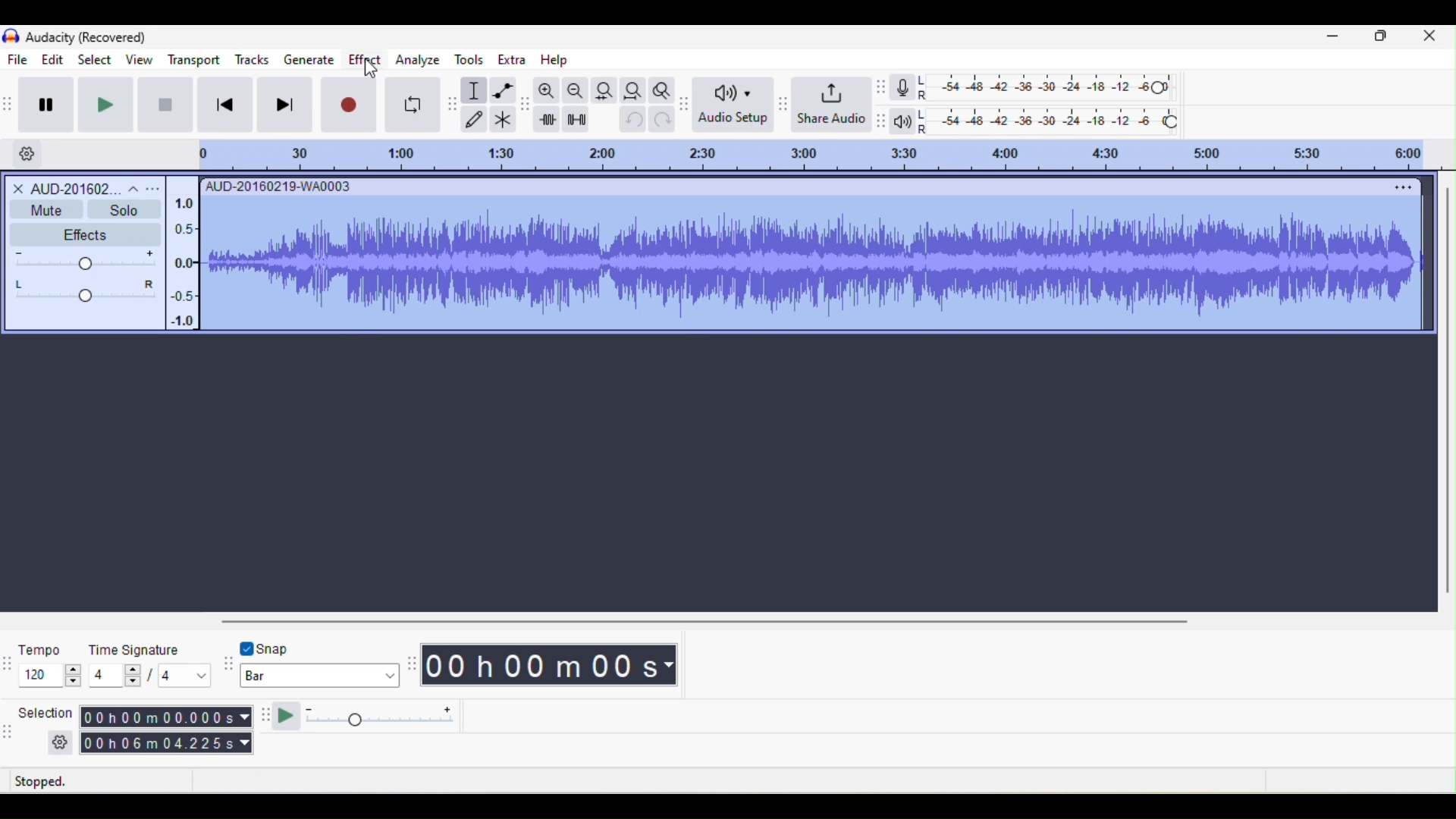 Image resolution: width=1456 pixels, height=819 pixels. Describe the element at coordinates (503, 119) in the screenshot. I see `multi tool` at that location.